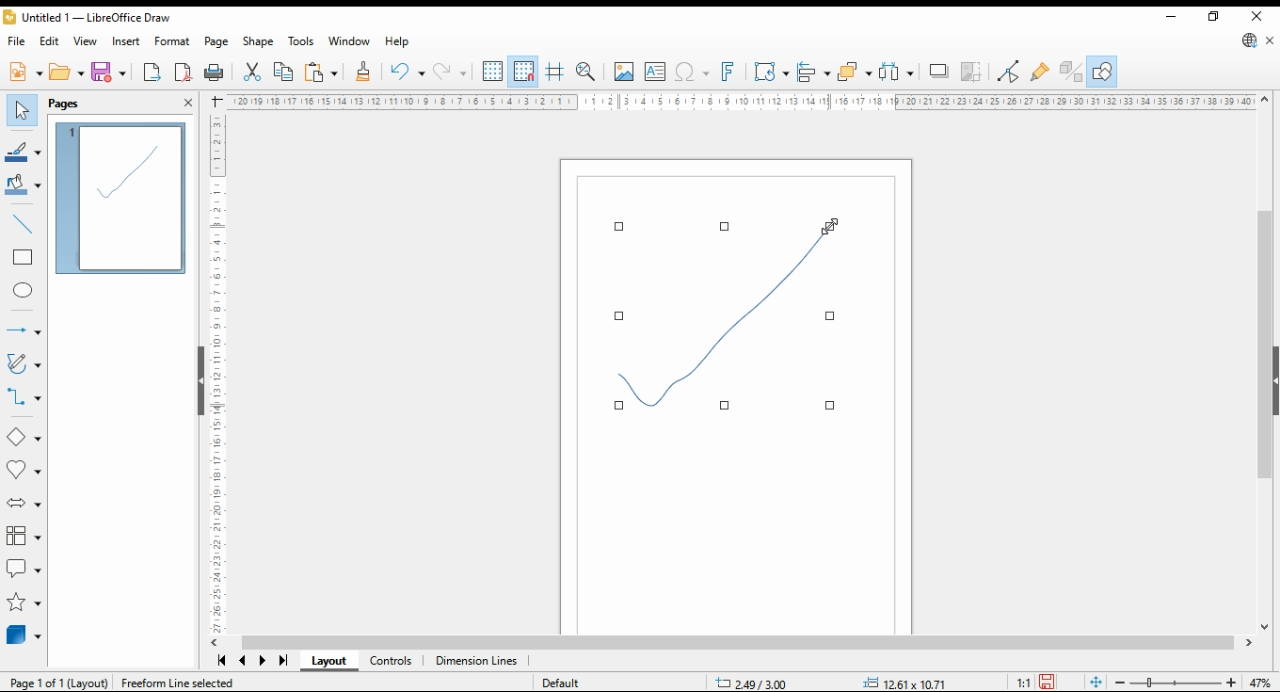  Describe the element at coordinates (586, 73) in the screenshot. I see `zoom and pan` at that location.